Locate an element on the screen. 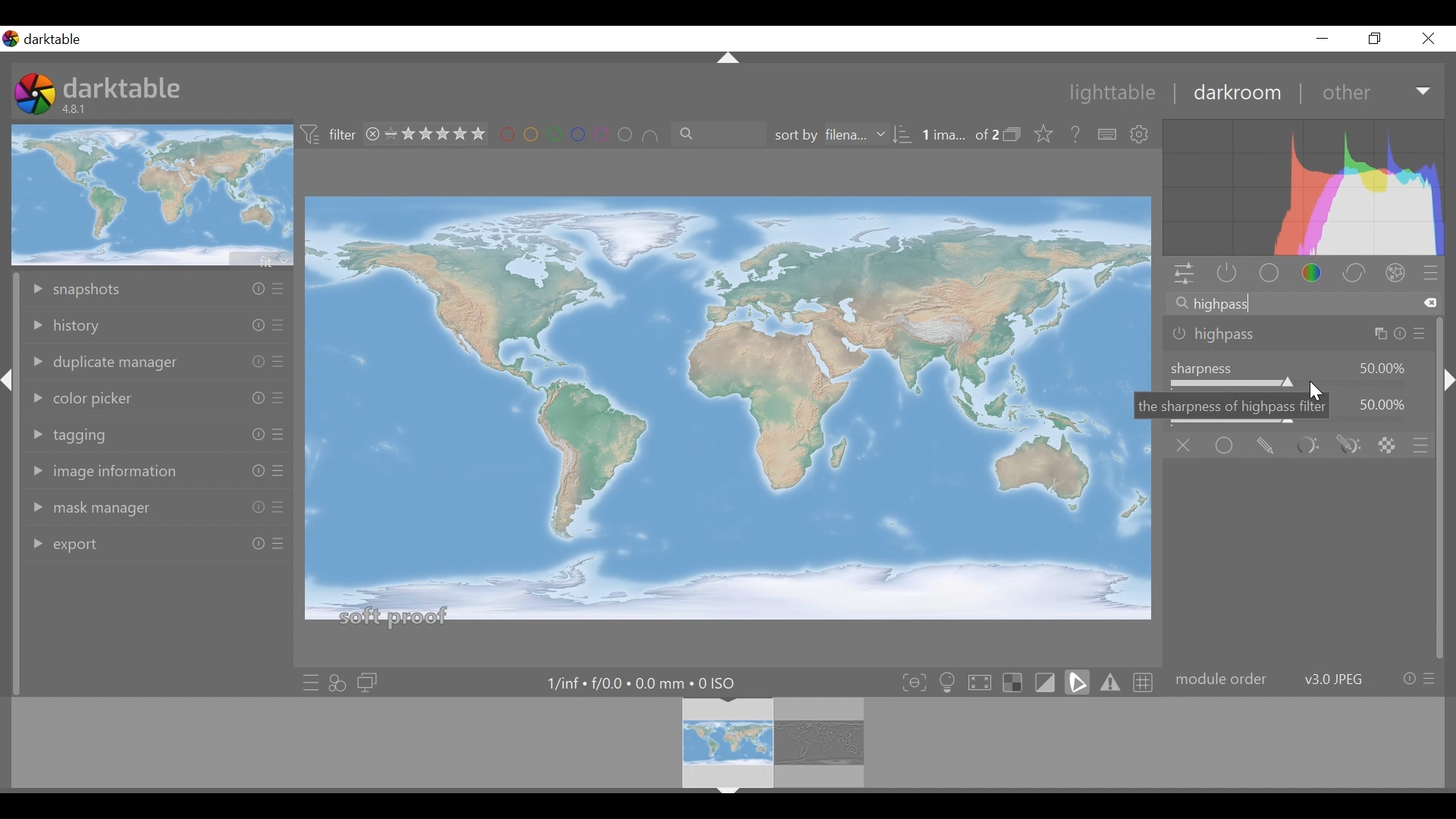  raster mask is located at coordinates (1386, 444).